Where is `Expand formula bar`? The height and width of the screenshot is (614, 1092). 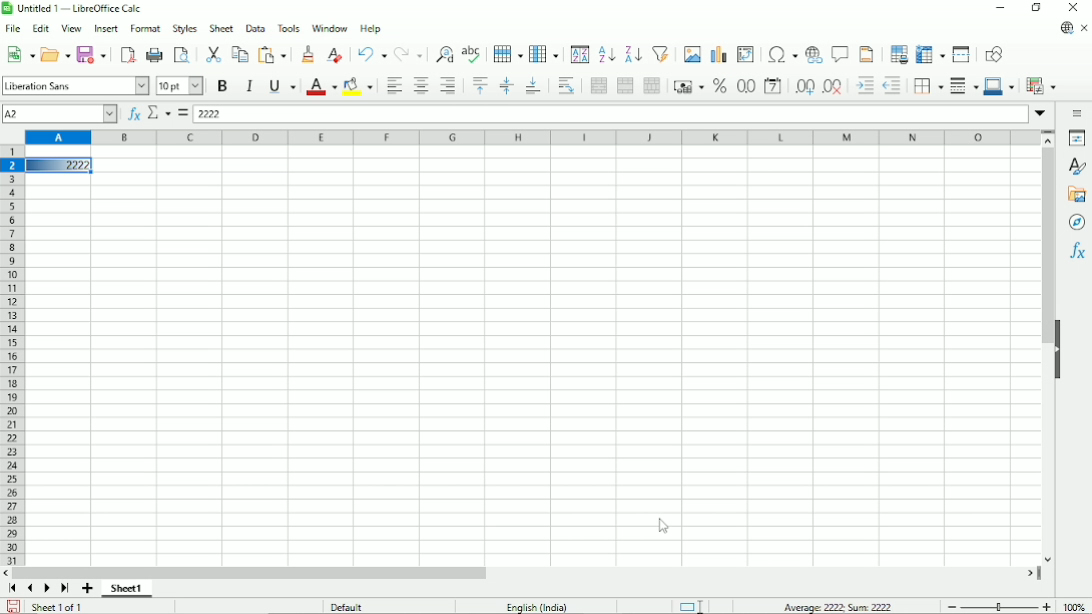 Expand formula bar is located at coordinates (1042, 113).